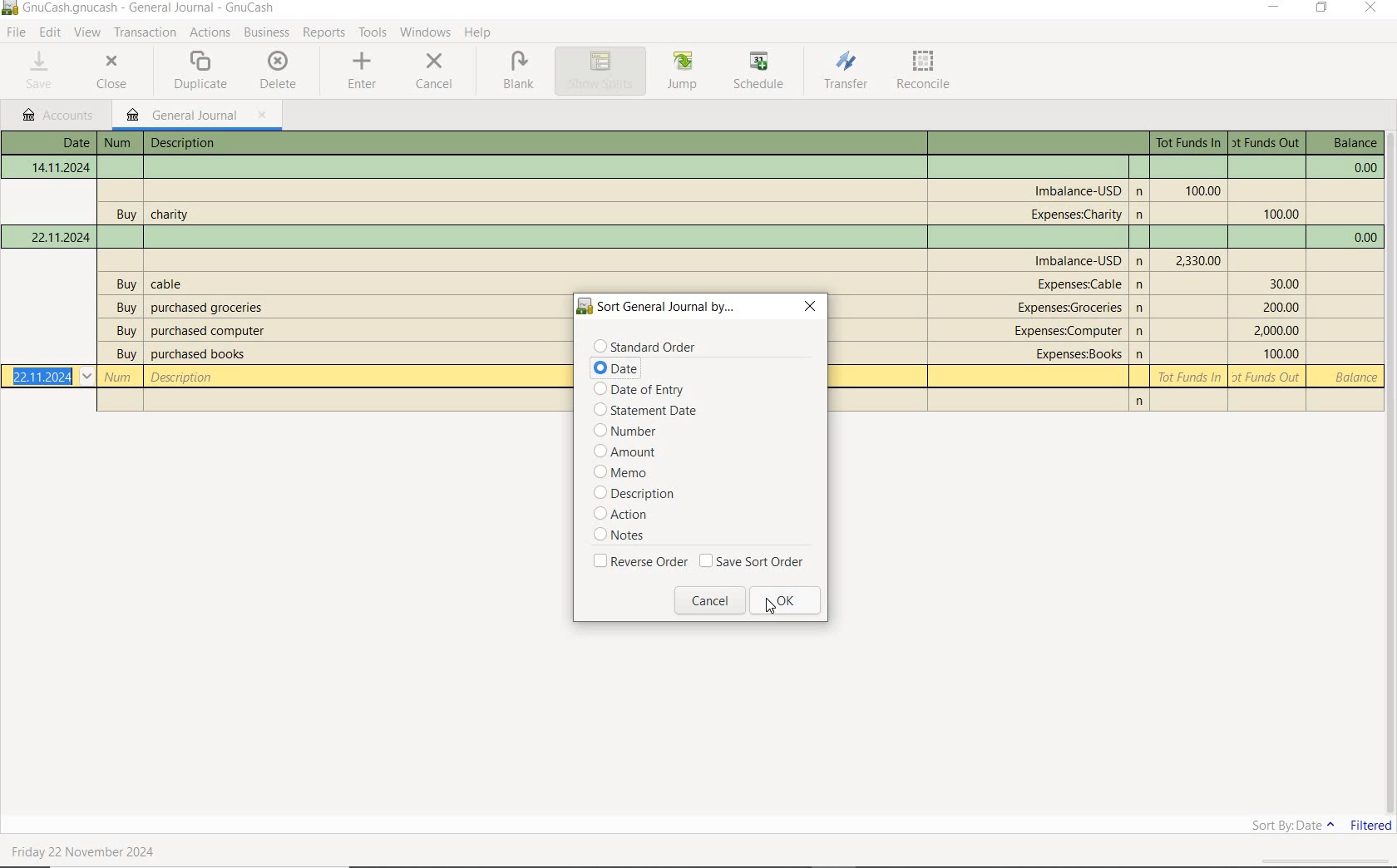  I want to click on ok, so click(791, 600).